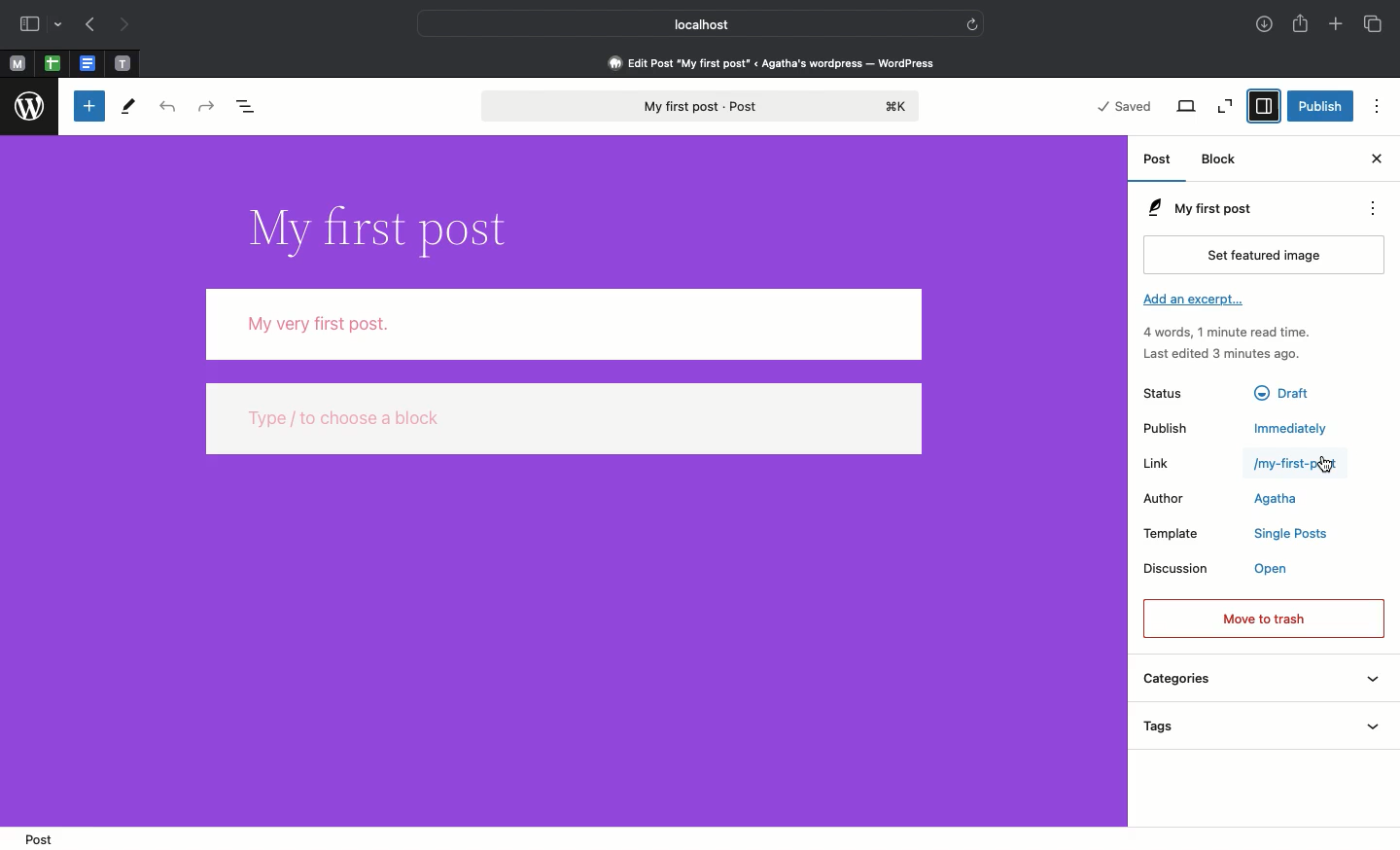 This screenshot has height=850, width=1400. What do you see at coordinates (1371, 208) in the screenshot?
I see `Actions` at bounding box center [1371, 208].